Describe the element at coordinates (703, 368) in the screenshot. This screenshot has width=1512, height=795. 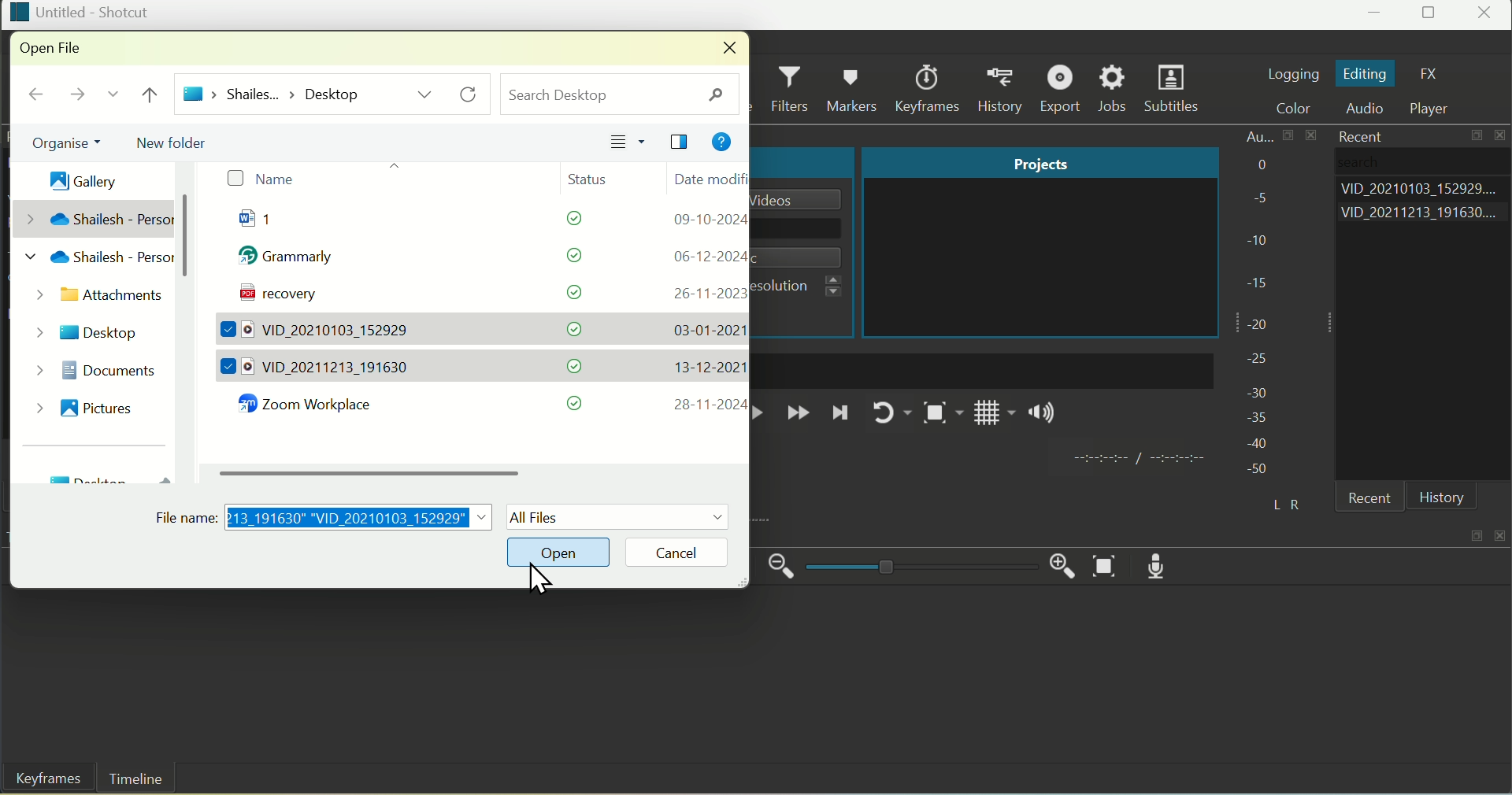
I see `date` at that location.